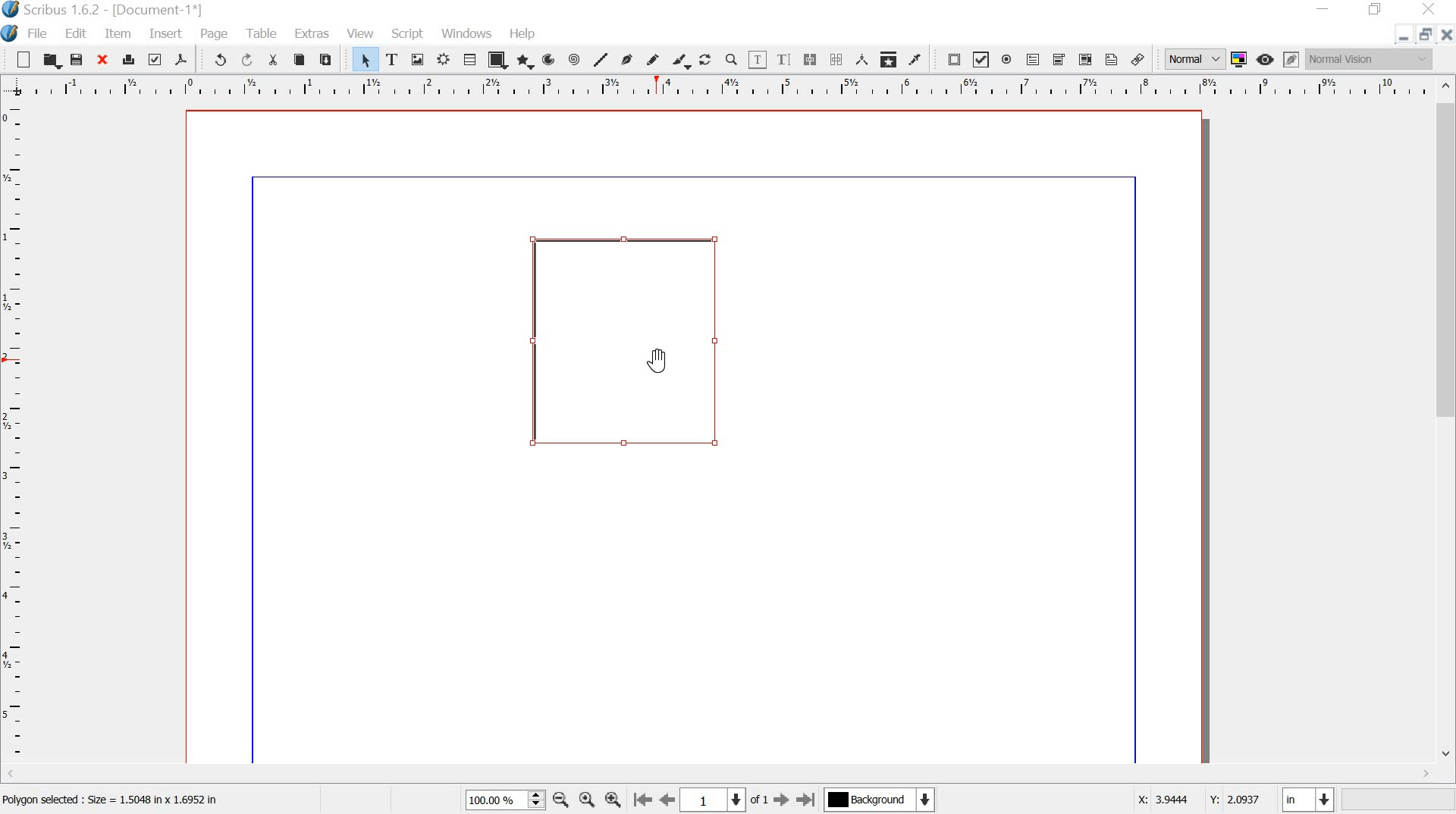  What do you see at coordinates (890, 60) in the screenshot?
I see `copy item properties` at bounding box center [890, 60].